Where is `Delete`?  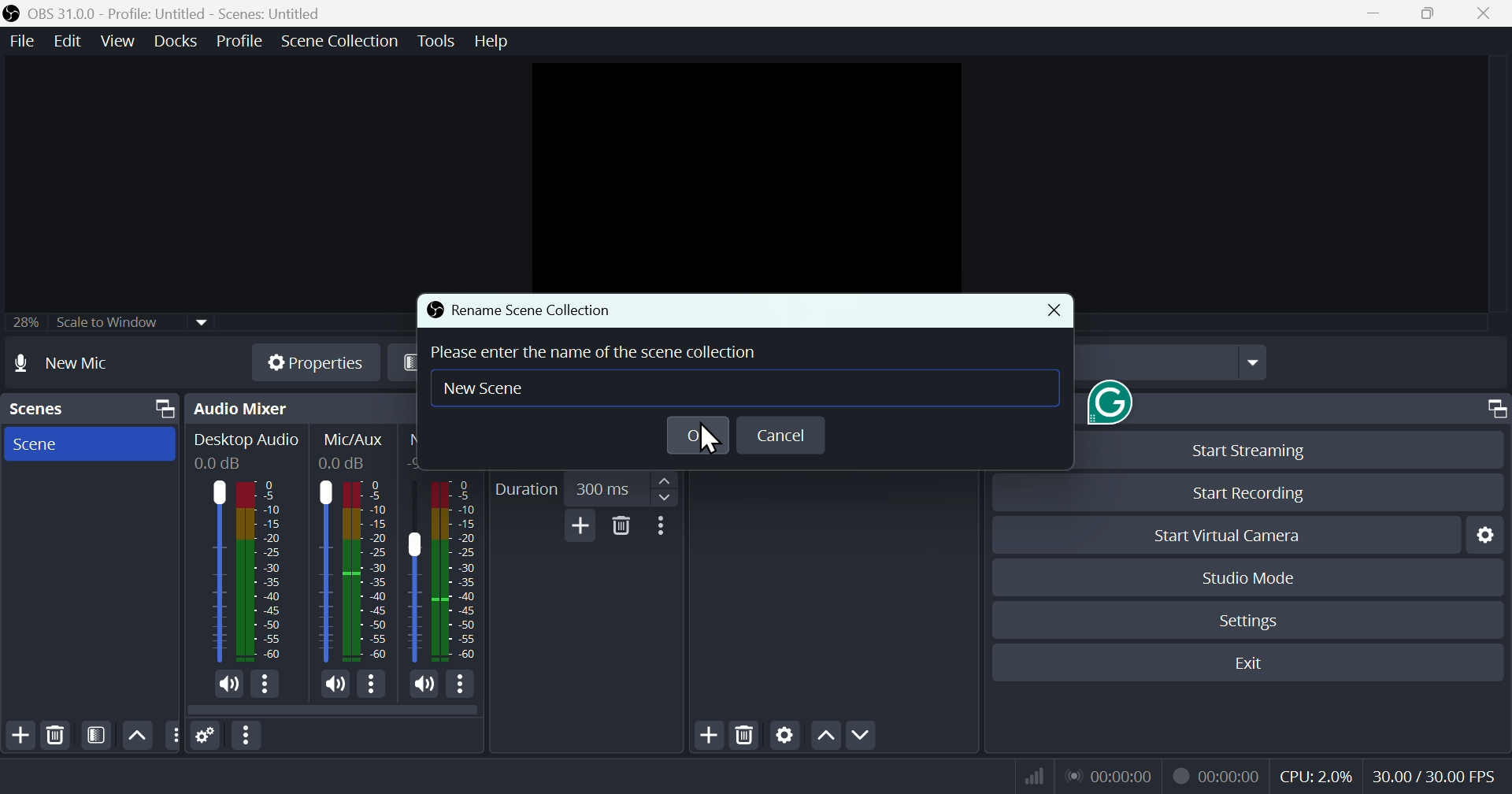 Delete is located at coordinates (62, 735).